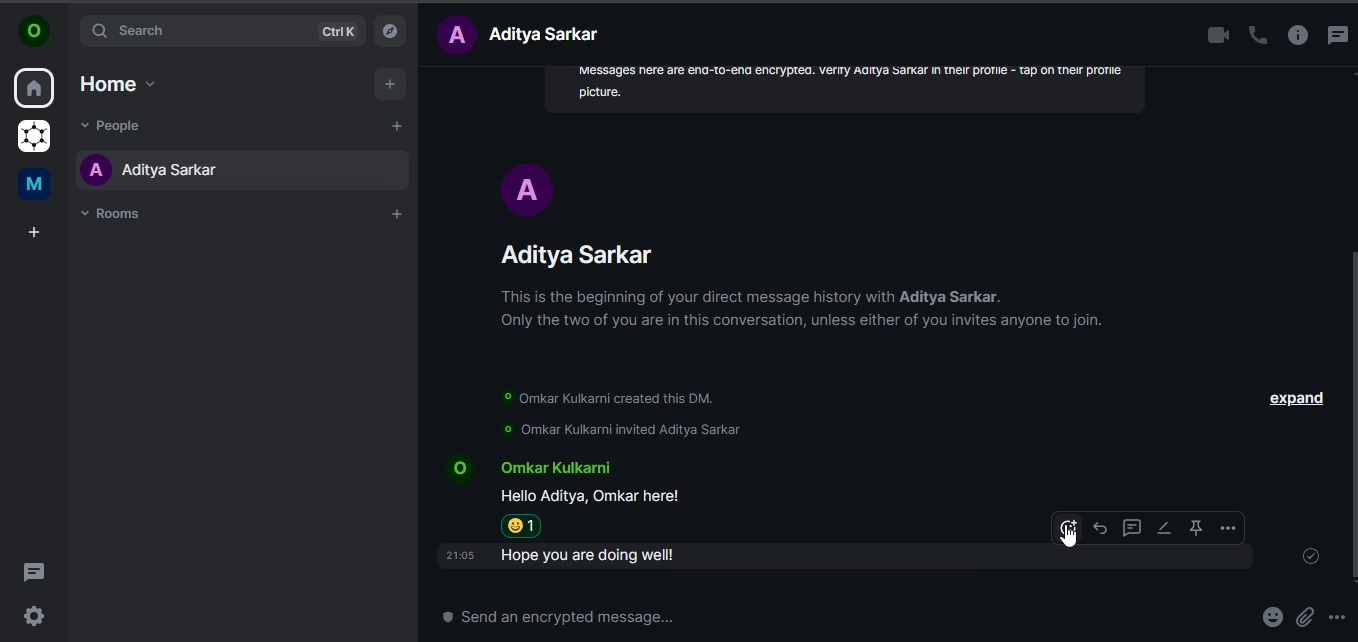 This screenshot has height=642, width=1358. What do you see at coordinates (396, 214) in the screenshot?
I see `add rooms` at bounding box center [396, 214].